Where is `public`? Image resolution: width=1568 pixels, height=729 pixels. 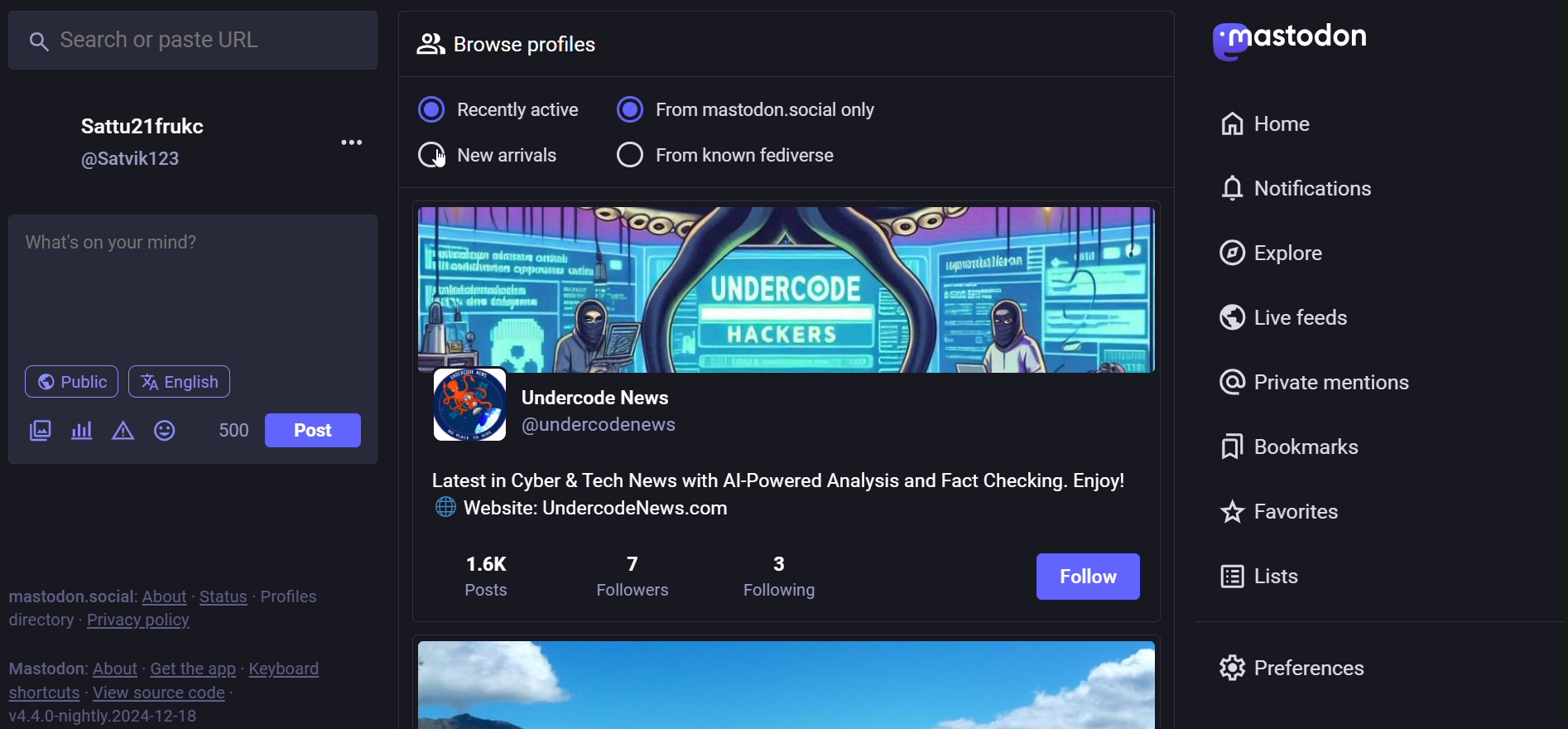
public is located at coordinates (70, 384).